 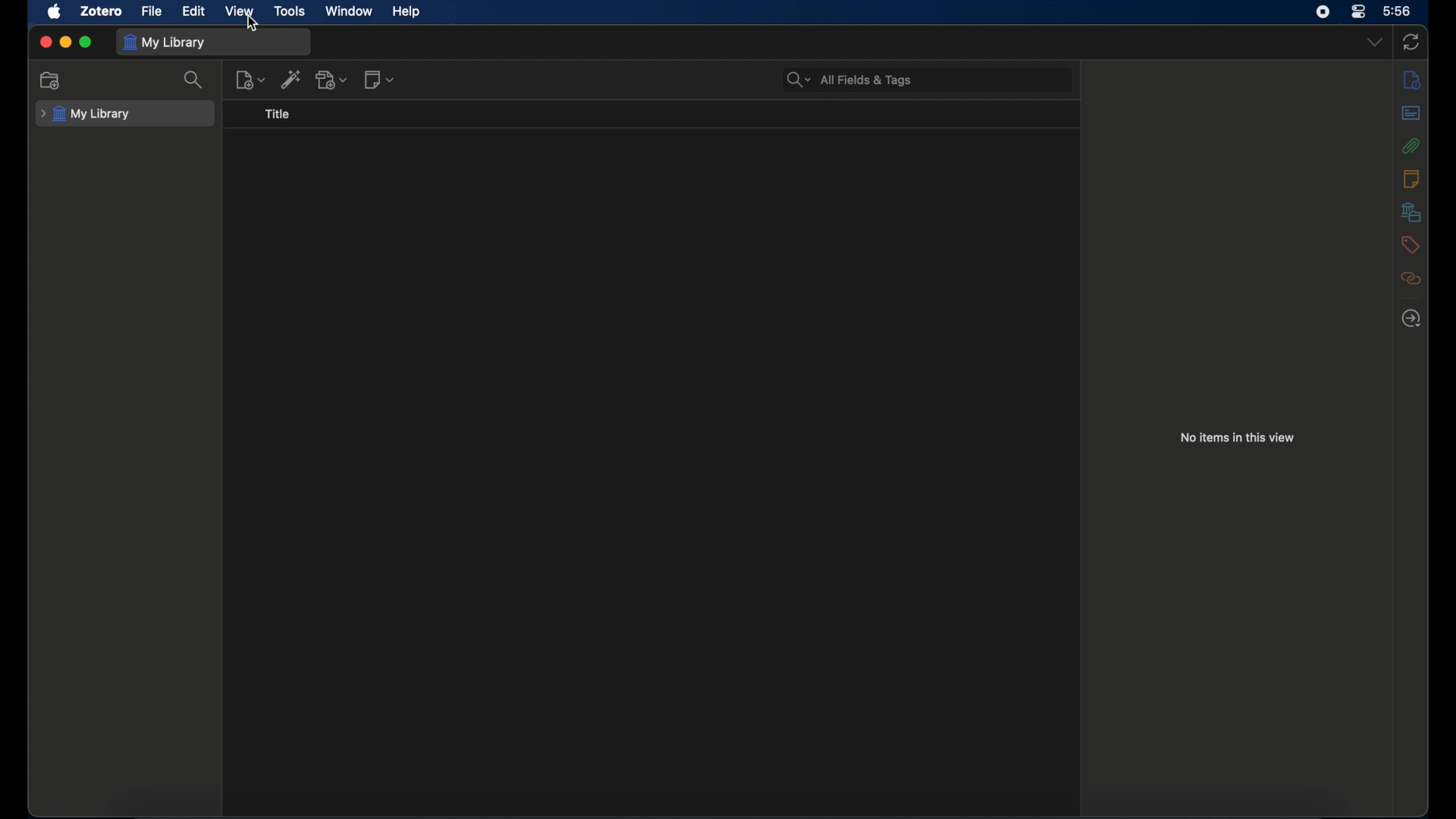 I want to click on no item in this view, so click(x=1238, y=437).